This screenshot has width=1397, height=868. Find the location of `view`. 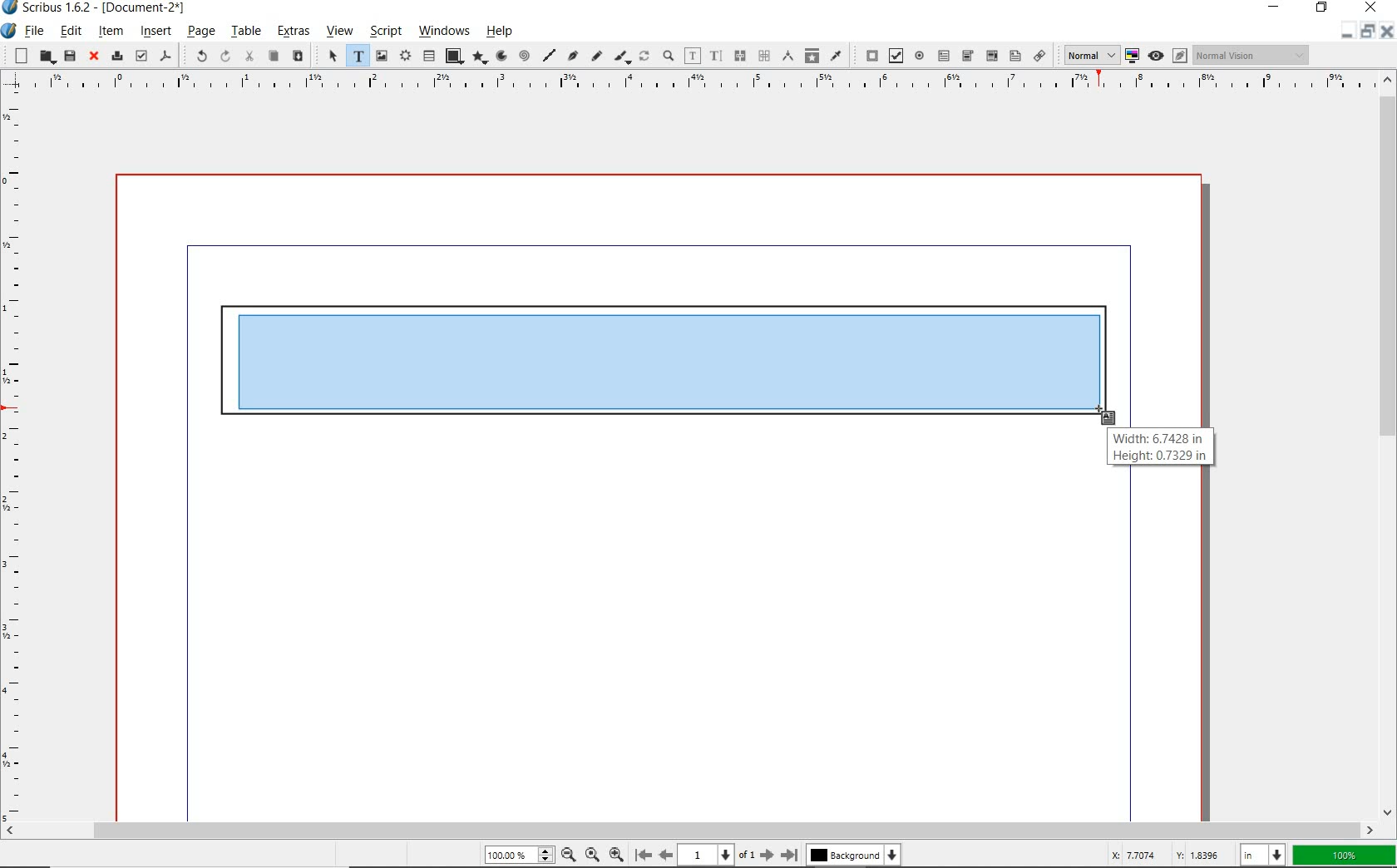

view is located at coordinates (341, 32).